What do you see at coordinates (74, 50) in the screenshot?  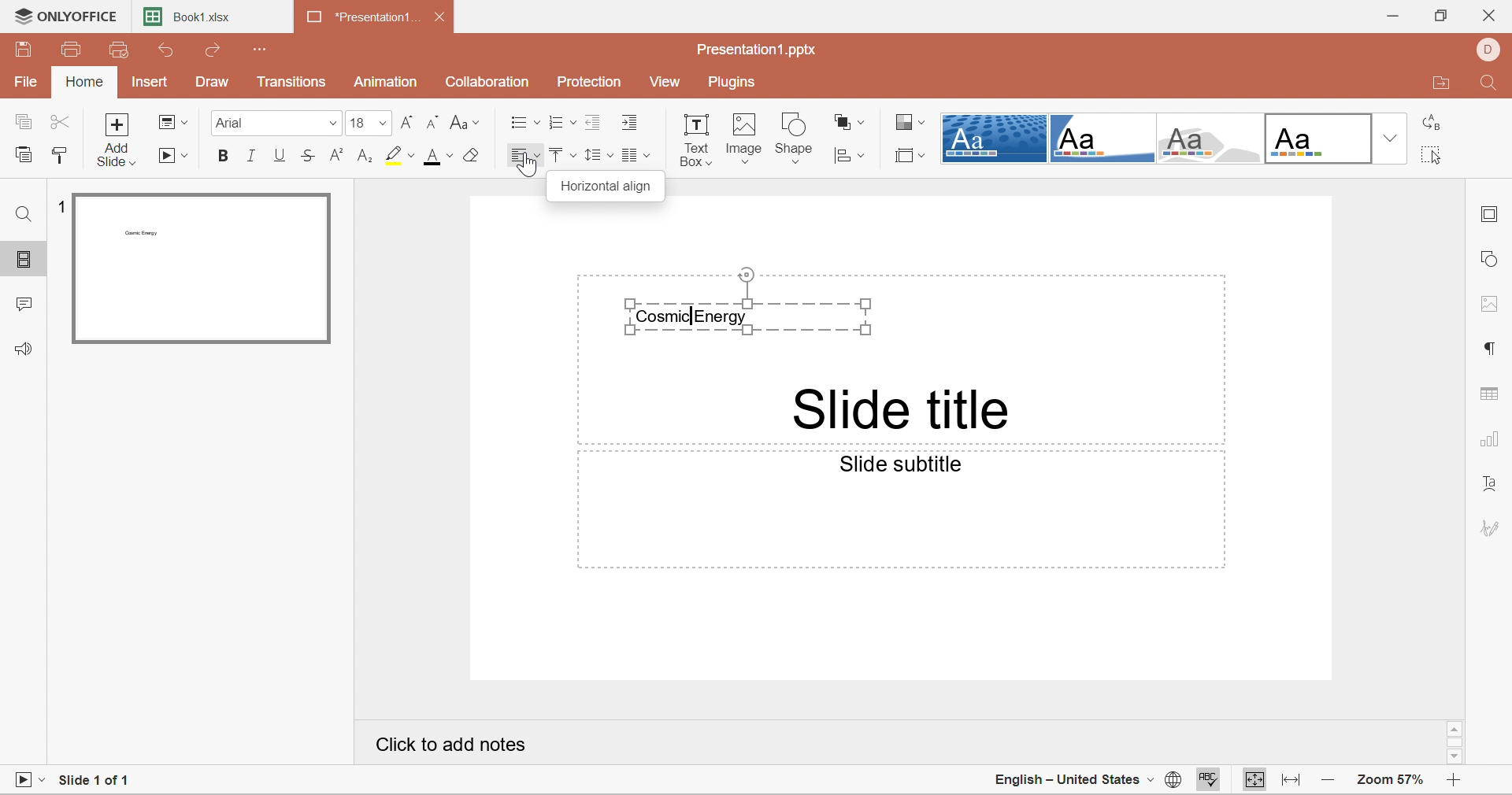 I see `Print` at bounding box center [74, 50].